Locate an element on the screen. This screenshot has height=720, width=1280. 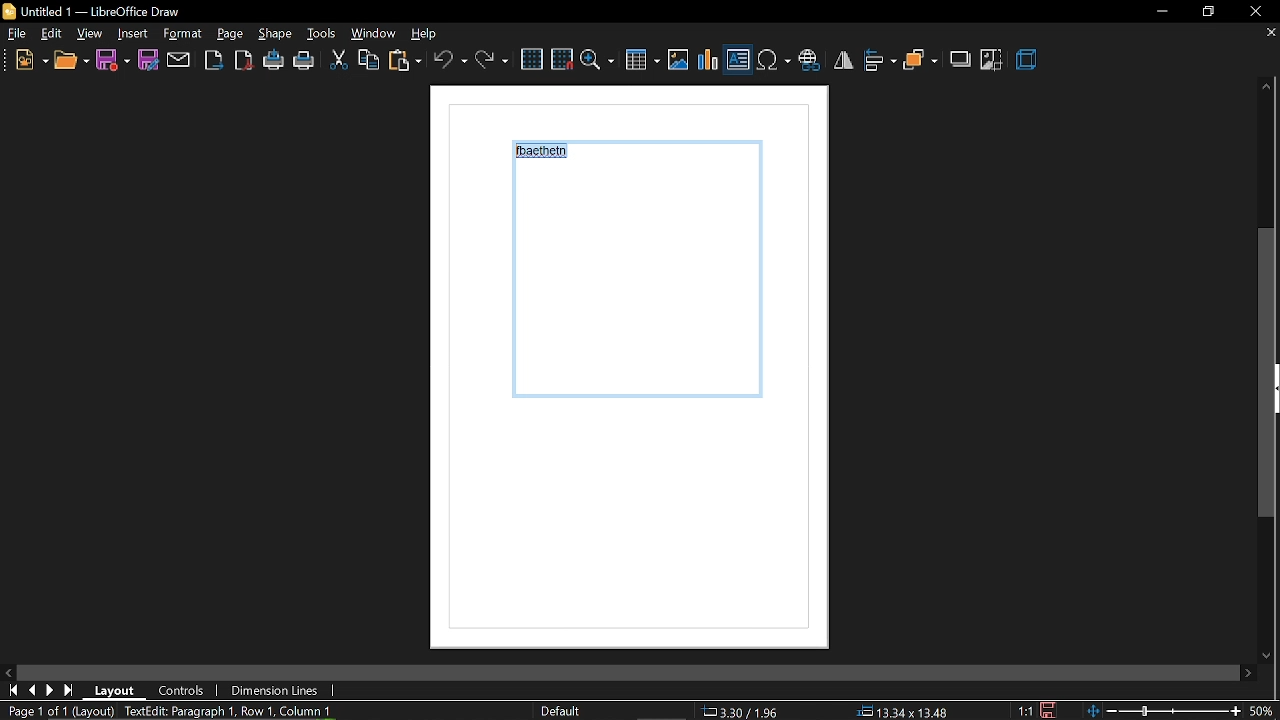
go to first page is located at coordinates (10, 690).